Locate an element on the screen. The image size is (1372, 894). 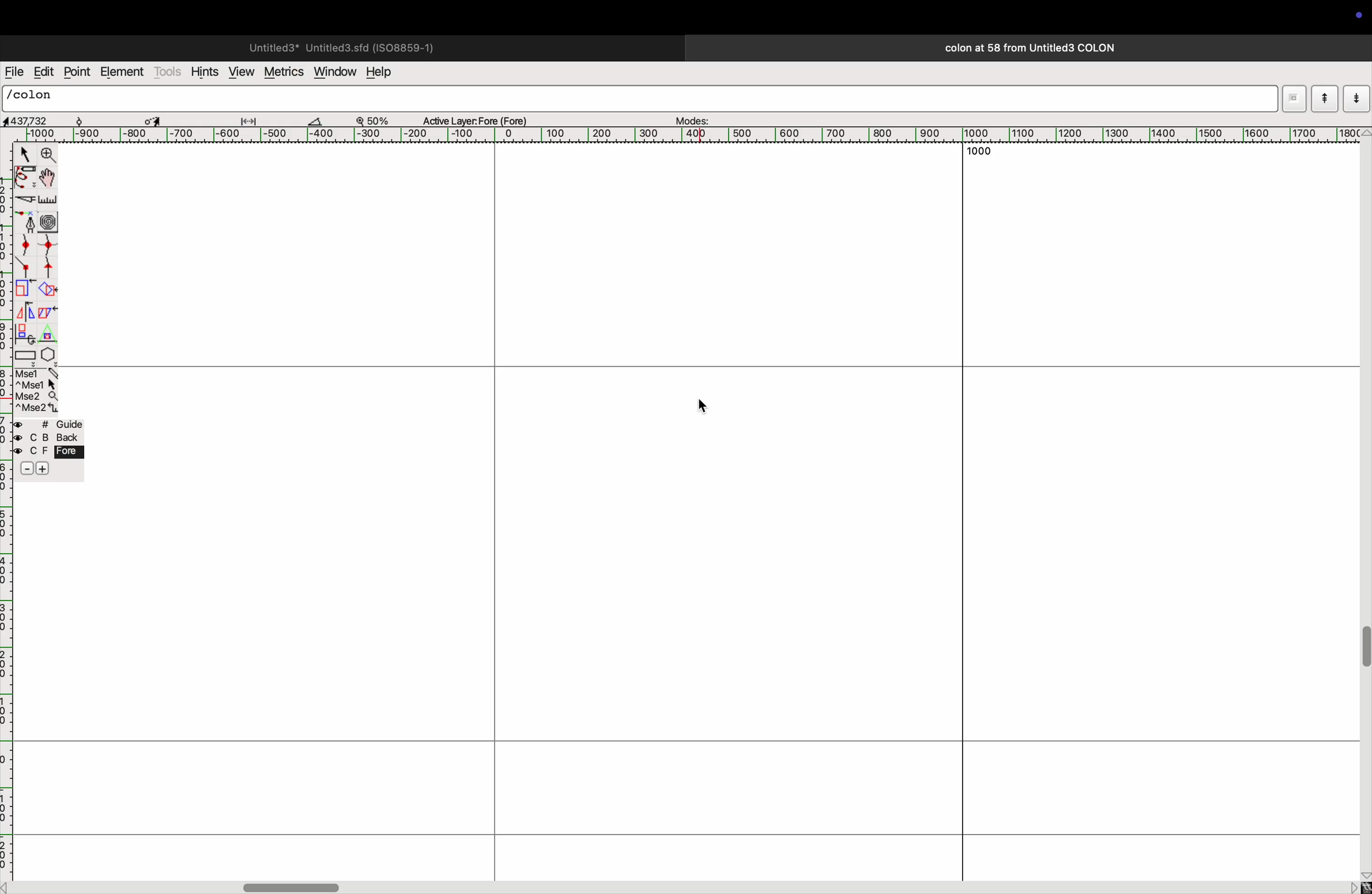
mse  is located at coordinates (35, 390).